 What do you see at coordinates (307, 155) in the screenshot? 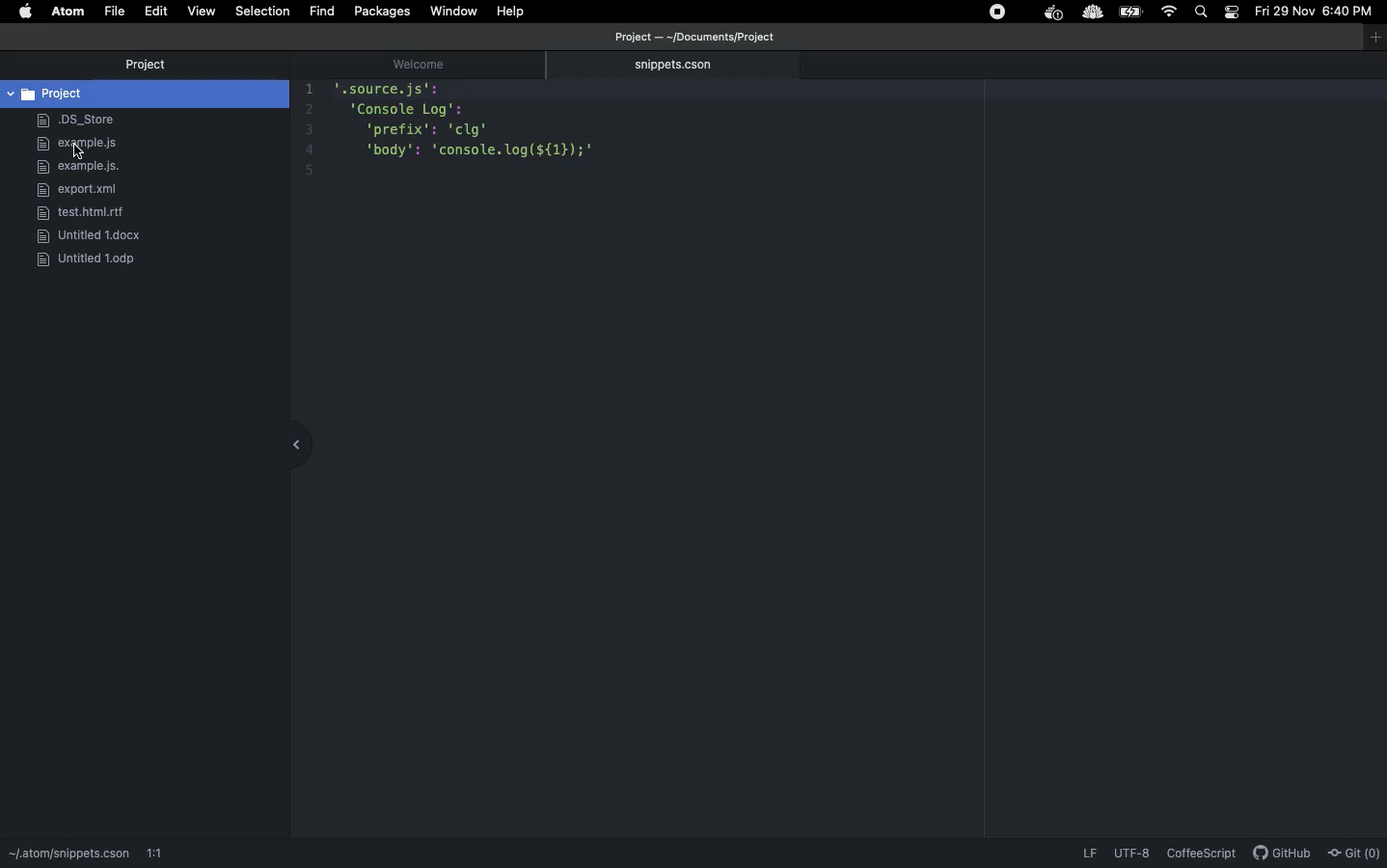
I see `count bar` at bounding box center [307, 155].